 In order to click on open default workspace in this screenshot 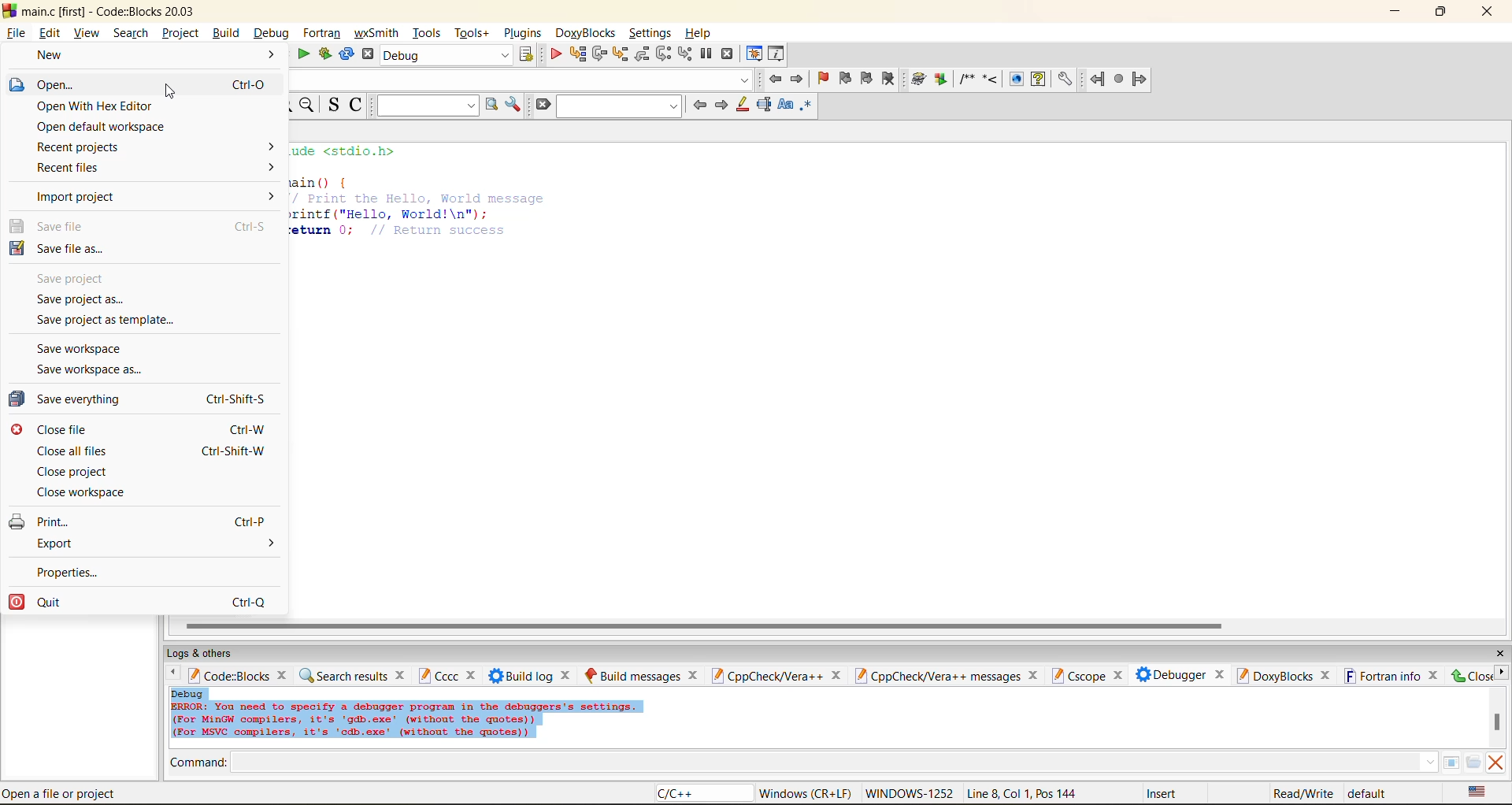, I will do `click(137, 126)`.